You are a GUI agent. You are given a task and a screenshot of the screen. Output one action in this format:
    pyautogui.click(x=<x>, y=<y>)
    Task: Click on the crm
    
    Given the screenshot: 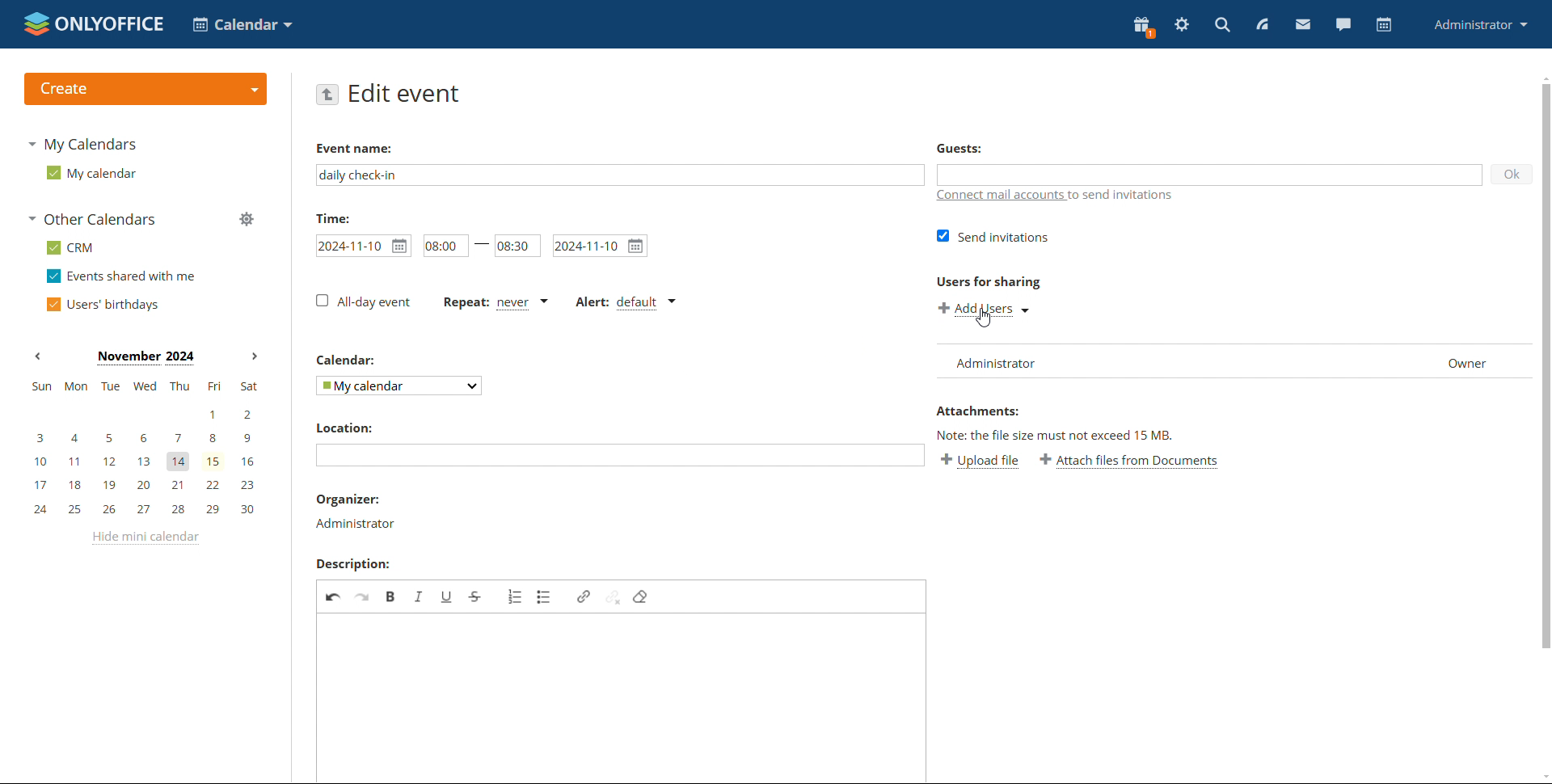 What is the action you would take?
    pyautogui.click(x=70, y=247)
    